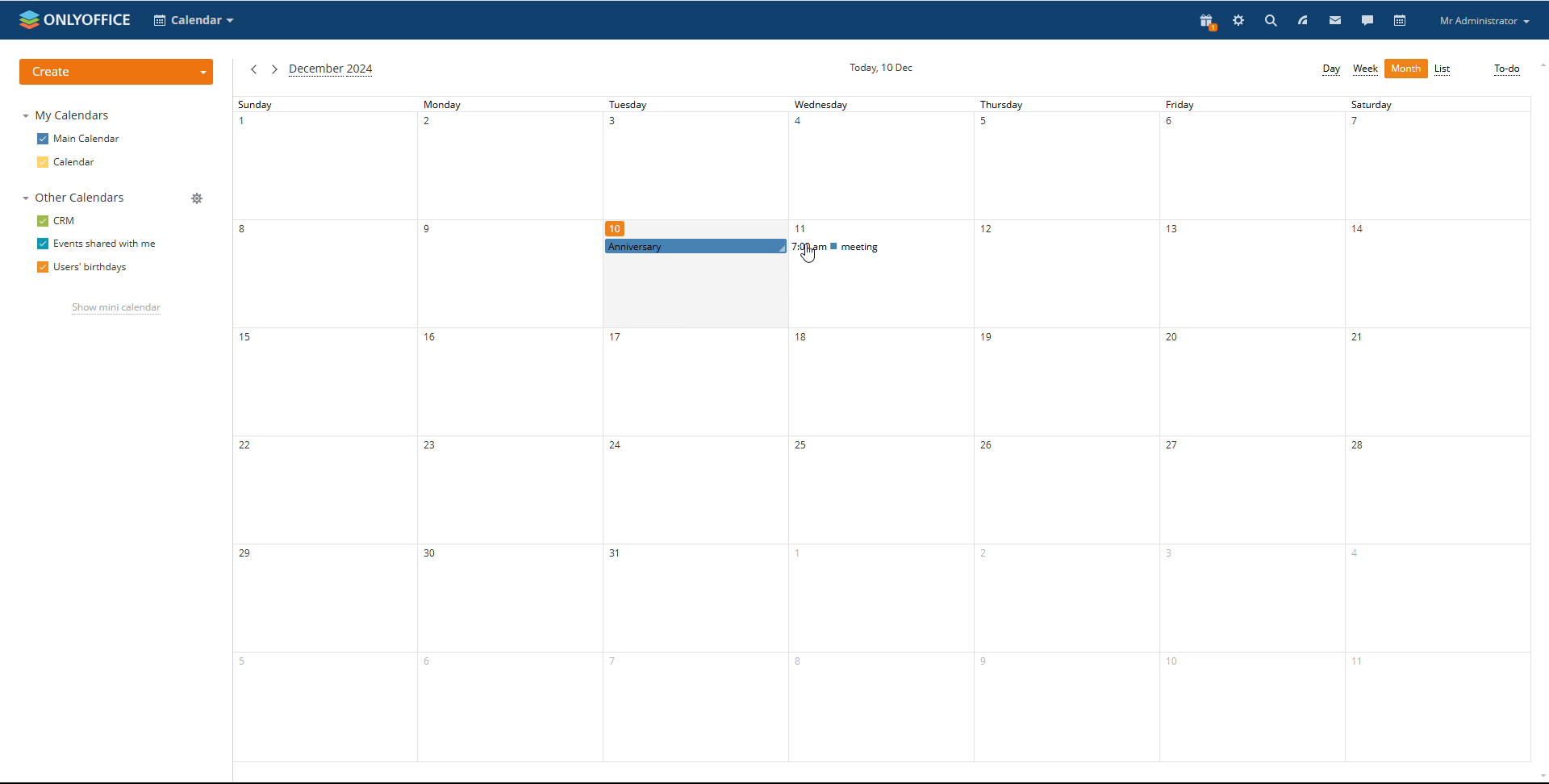 This screenshot has width=1549, height=784. What do you see at coordinates (80, 269) in the screenshot?
I see `users' birthdays` at bounding box center [80, 269].